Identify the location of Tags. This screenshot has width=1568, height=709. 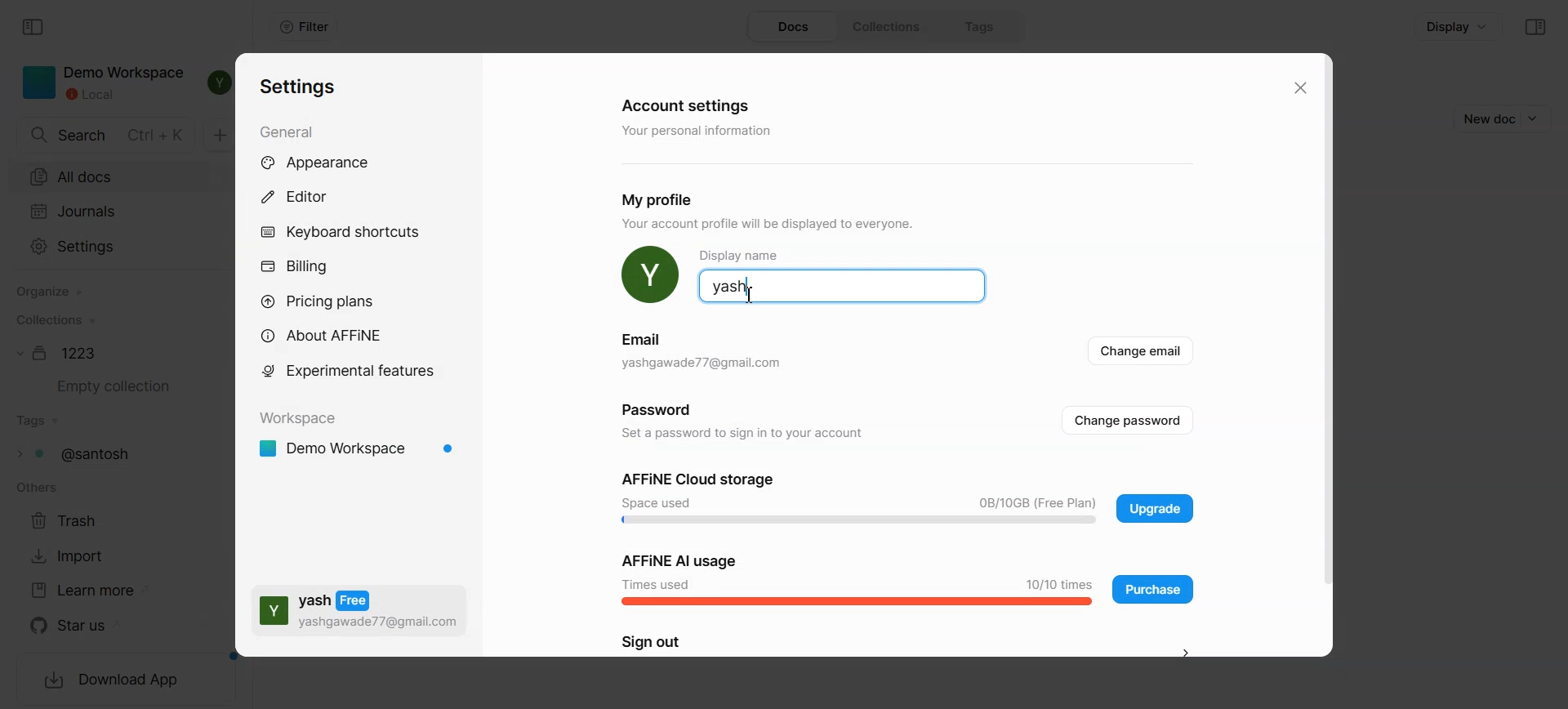
(38, 421).